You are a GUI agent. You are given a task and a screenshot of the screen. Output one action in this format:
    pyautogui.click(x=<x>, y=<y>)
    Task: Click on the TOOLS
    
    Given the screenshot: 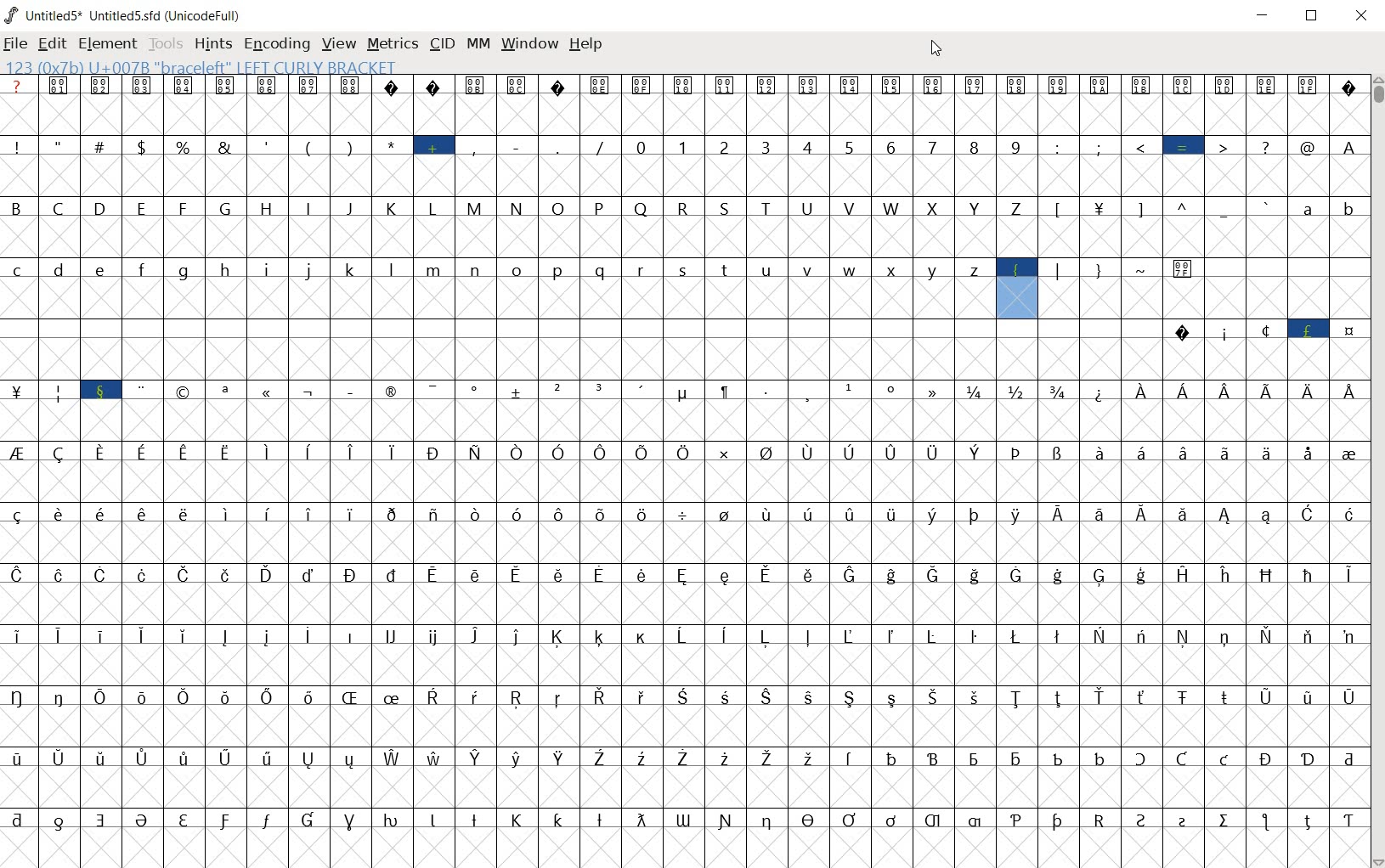 What is the action you would take?
    pyautogui.click(x=164, y=45)
    